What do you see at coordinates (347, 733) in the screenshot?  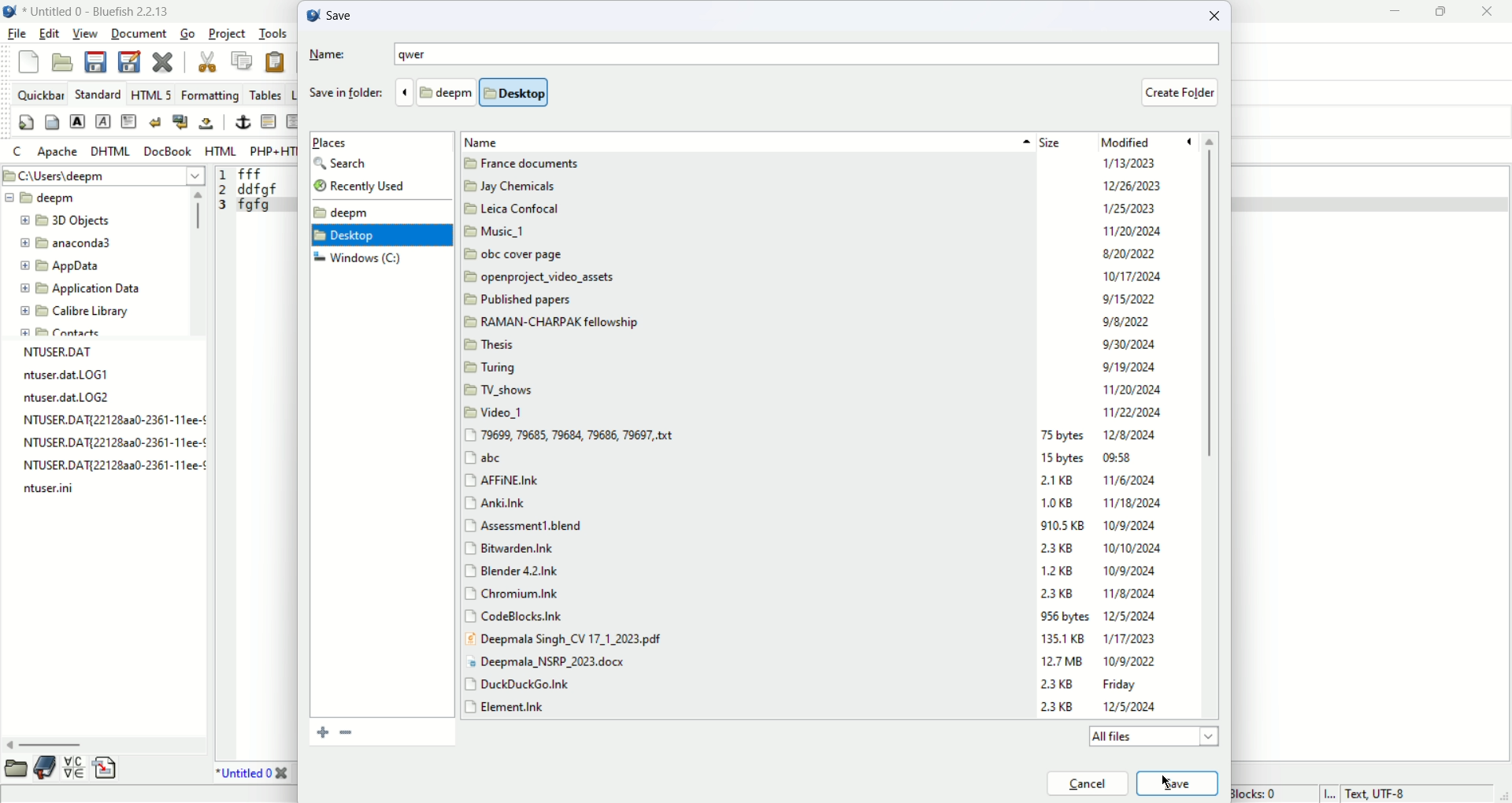 I see `bookmark` at bounding box center [347, 733].